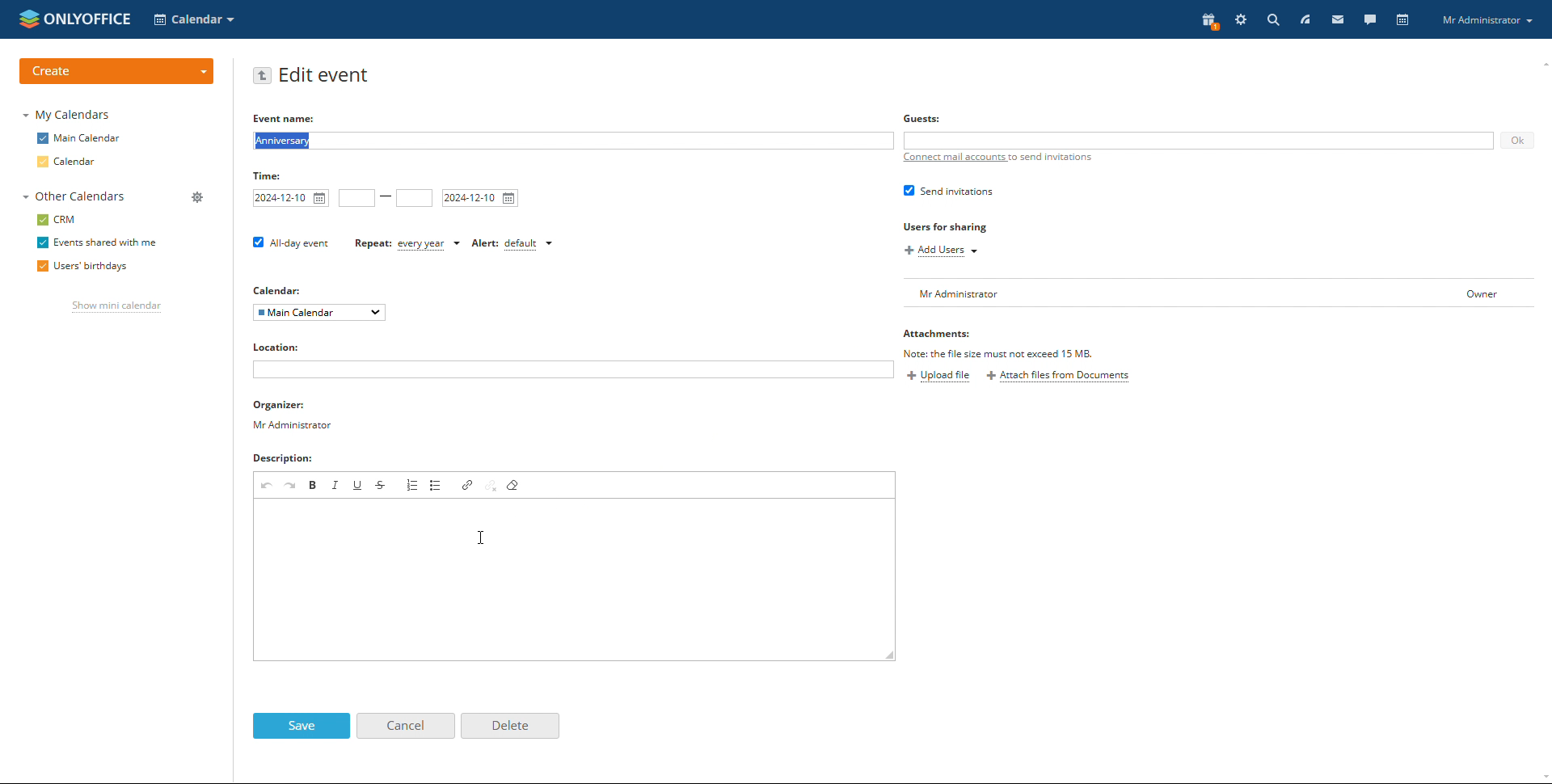 Image resolution: width=1552 pixels, height=784 pixels. I want to click on attach files from documents, so click(1058, 377).